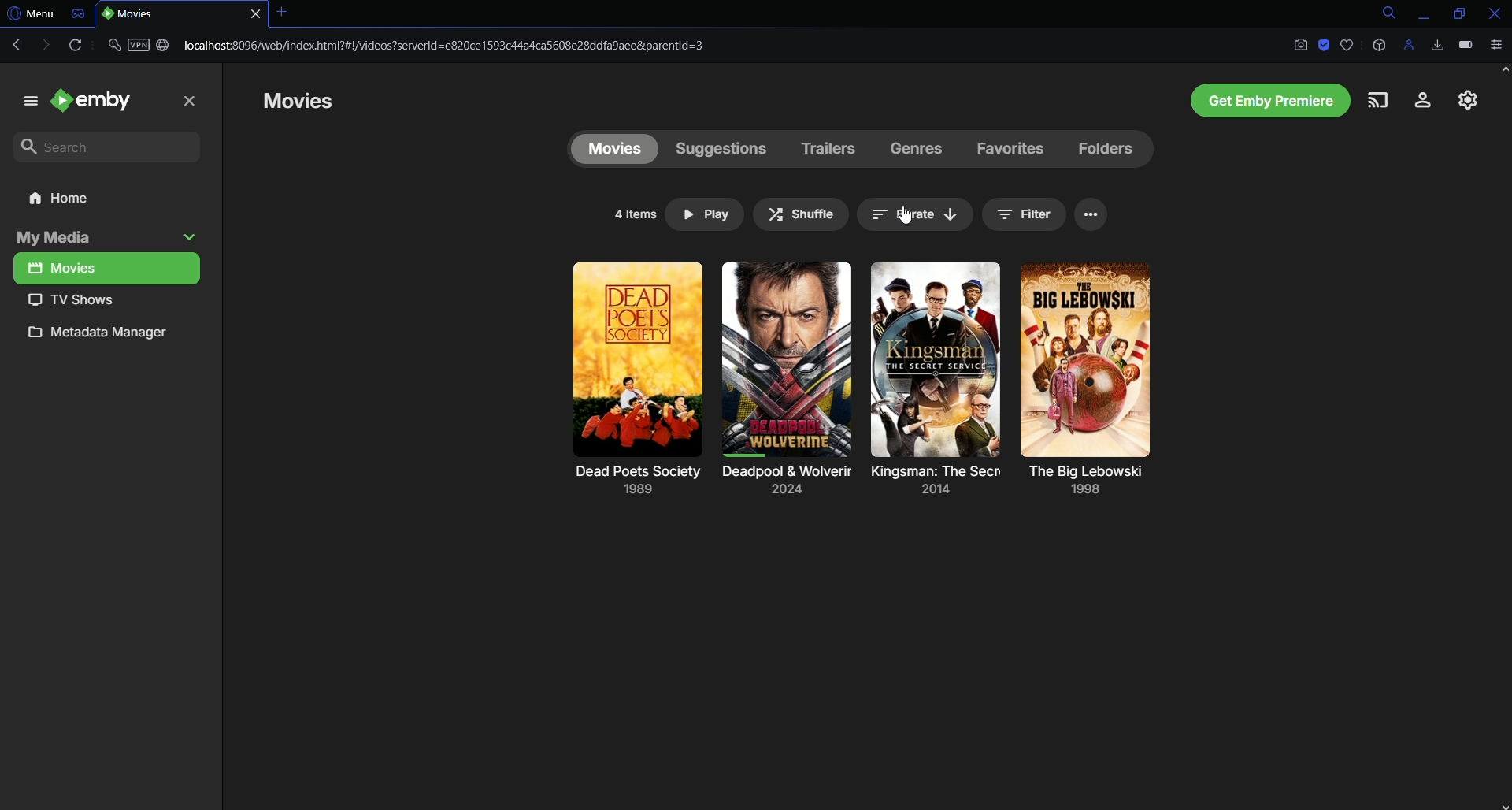 The width and height of the screenshot is (1512, 810). What do you see at coordinates (1090, 481) in the screenshot?
I see `The Big Lebowski` at bounding box center [1090, 481].